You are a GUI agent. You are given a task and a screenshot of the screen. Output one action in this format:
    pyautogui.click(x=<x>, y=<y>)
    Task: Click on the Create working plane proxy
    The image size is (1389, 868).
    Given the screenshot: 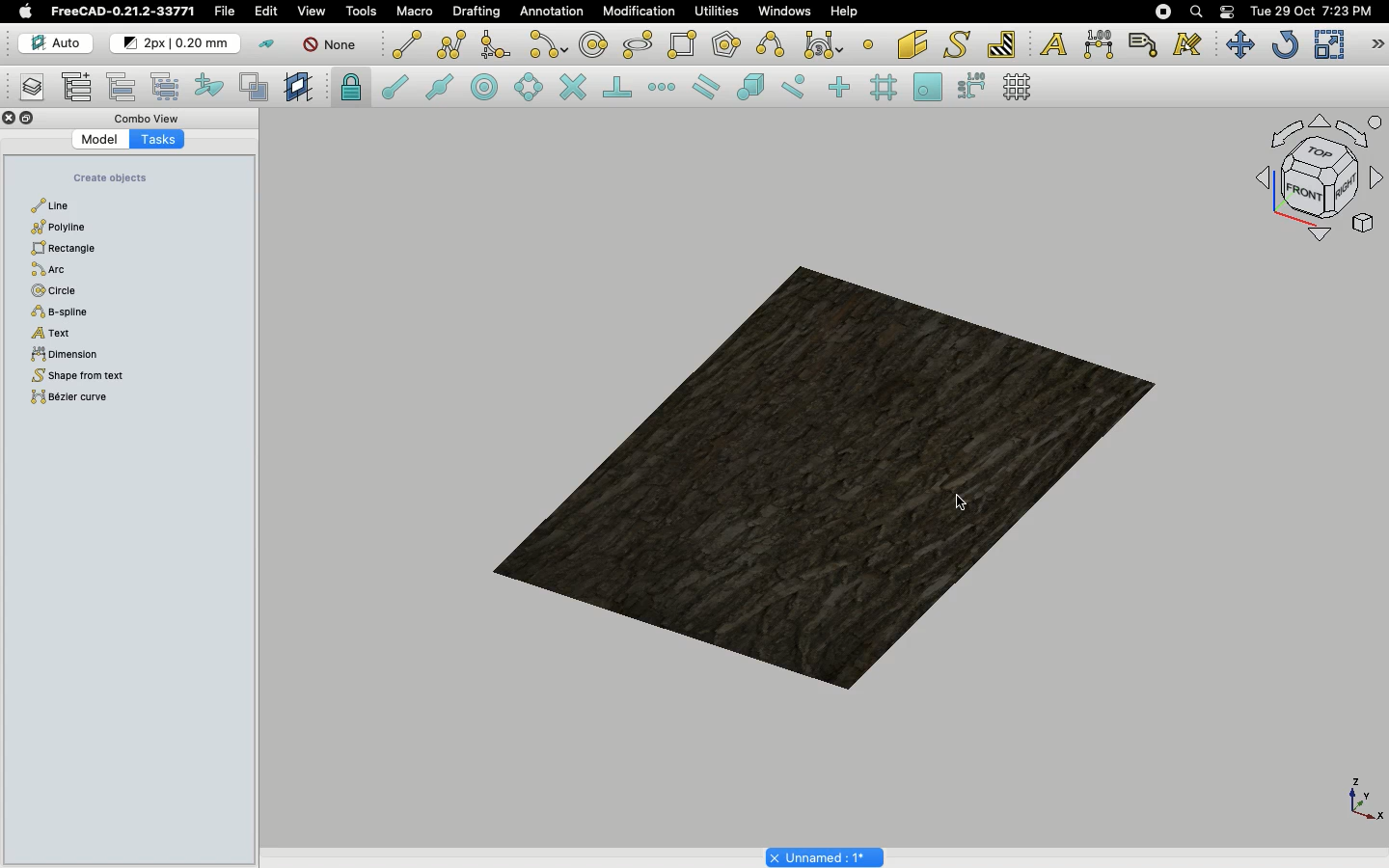 What is the action you would take?
    pyautogui.click(x=301, y=89)
    